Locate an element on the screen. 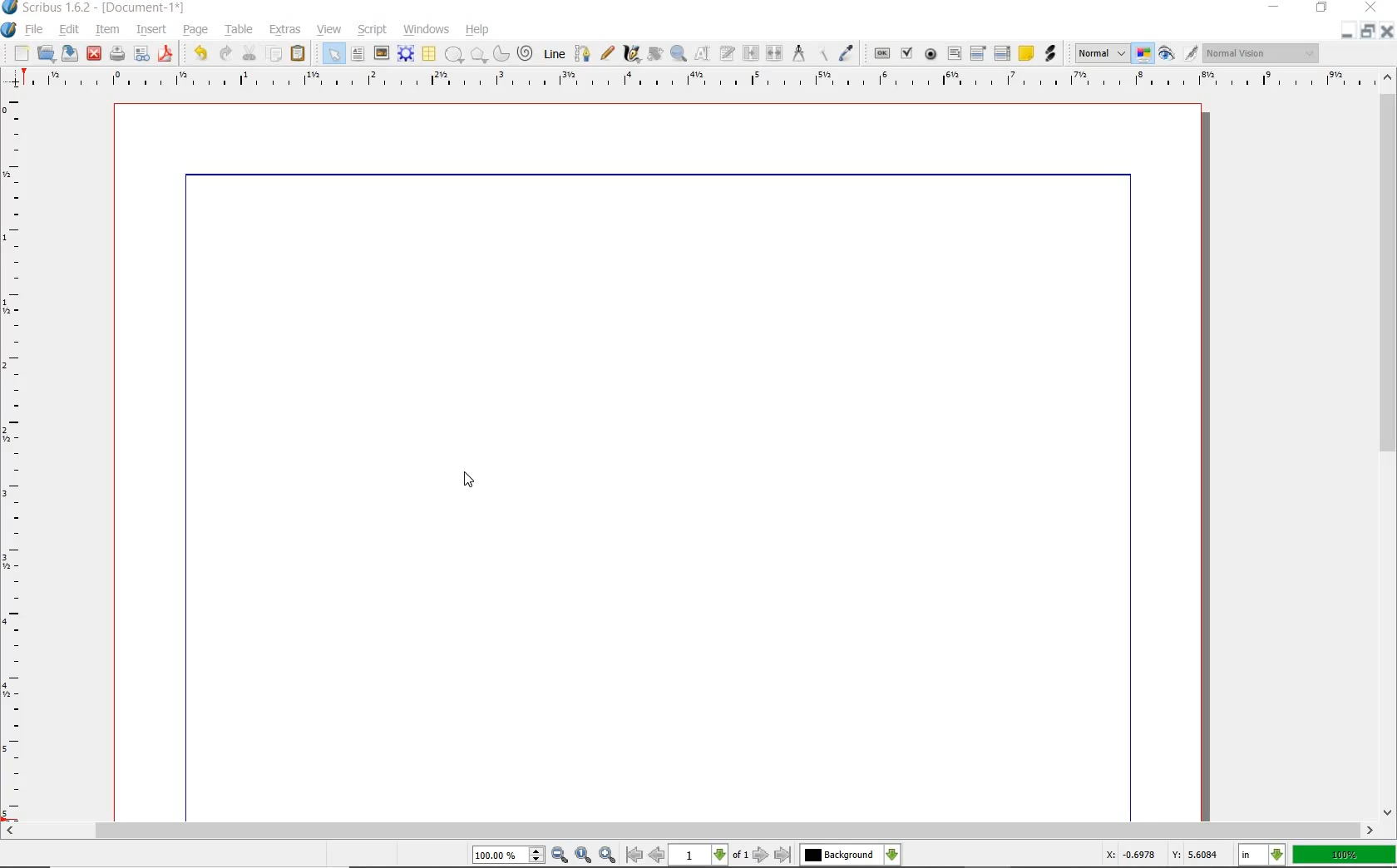 Image resolution: width=1397 pixels, height=868 pixels. PDF TEXT FIELD is located at coordinates (954, 53).